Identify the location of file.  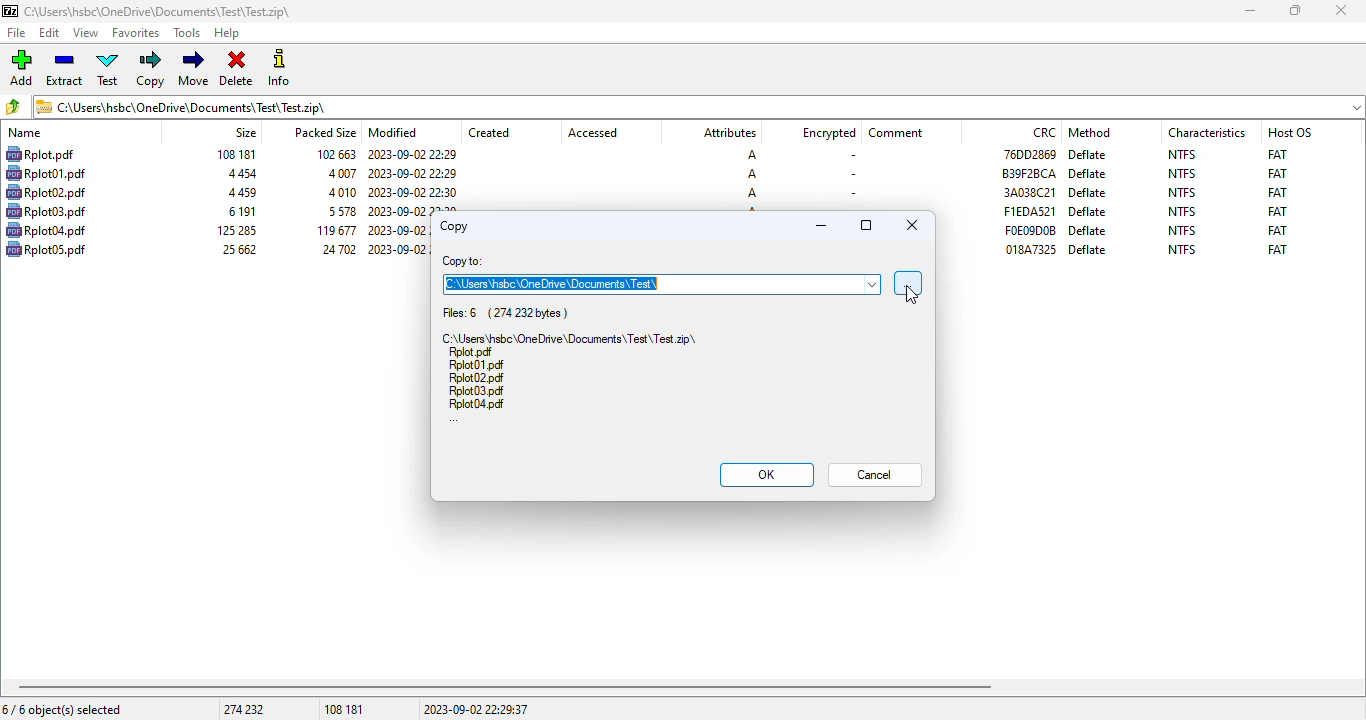
(471, 353).